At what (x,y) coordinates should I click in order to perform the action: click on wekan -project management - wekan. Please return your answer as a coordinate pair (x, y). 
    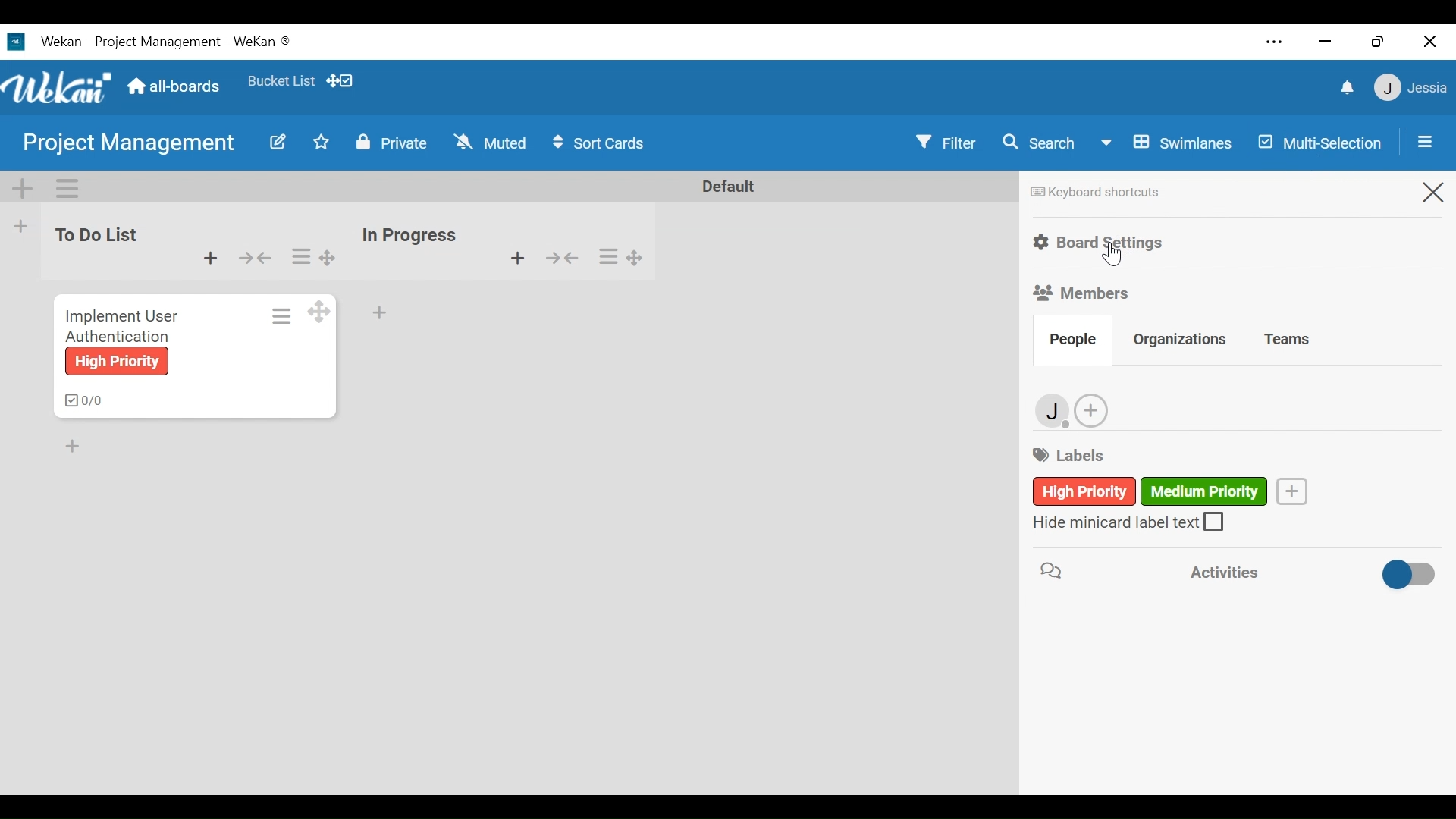
    Looking at the image, I should click on (168, 39).